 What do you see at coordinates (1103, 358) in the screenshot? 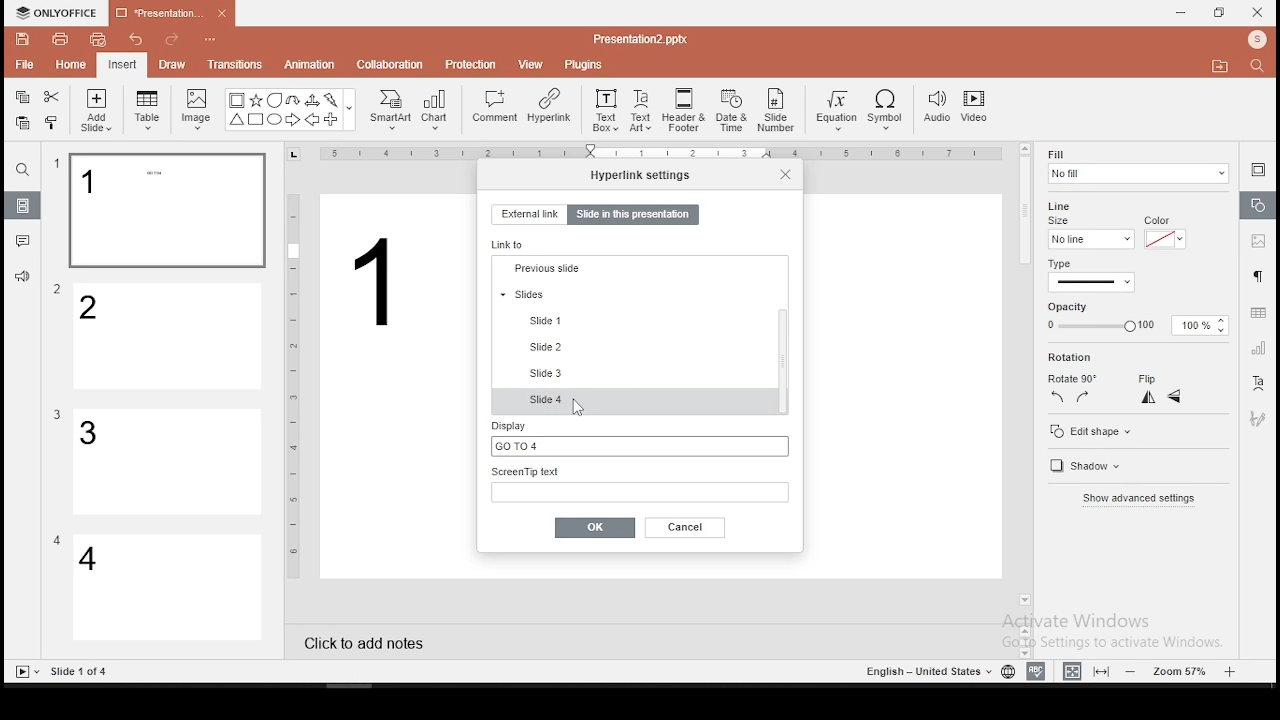
I see `rotation` at bounding box center [1103, 358].